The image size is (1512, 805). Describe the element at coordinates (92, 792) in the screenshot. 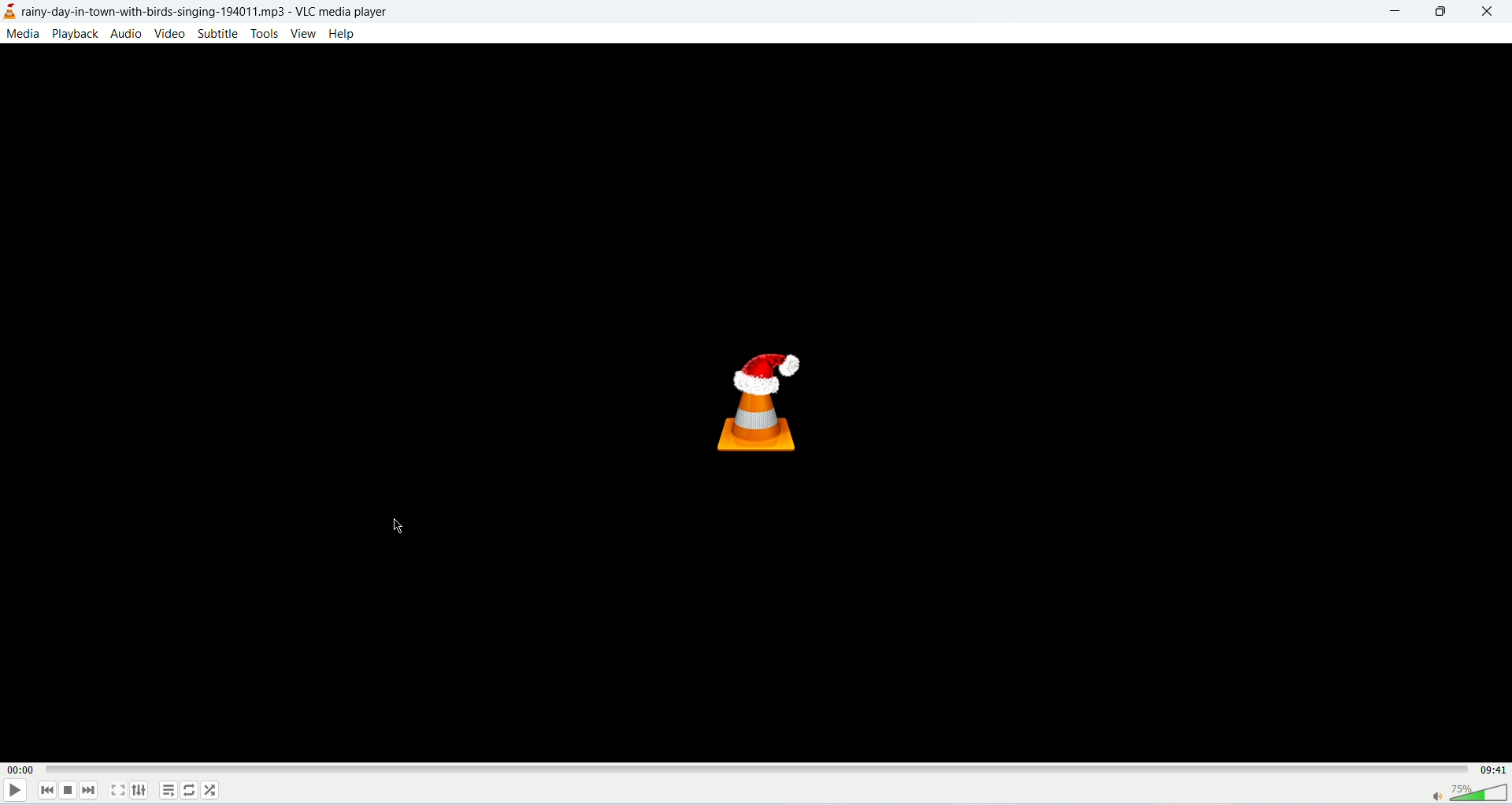

I see `next` at that location.